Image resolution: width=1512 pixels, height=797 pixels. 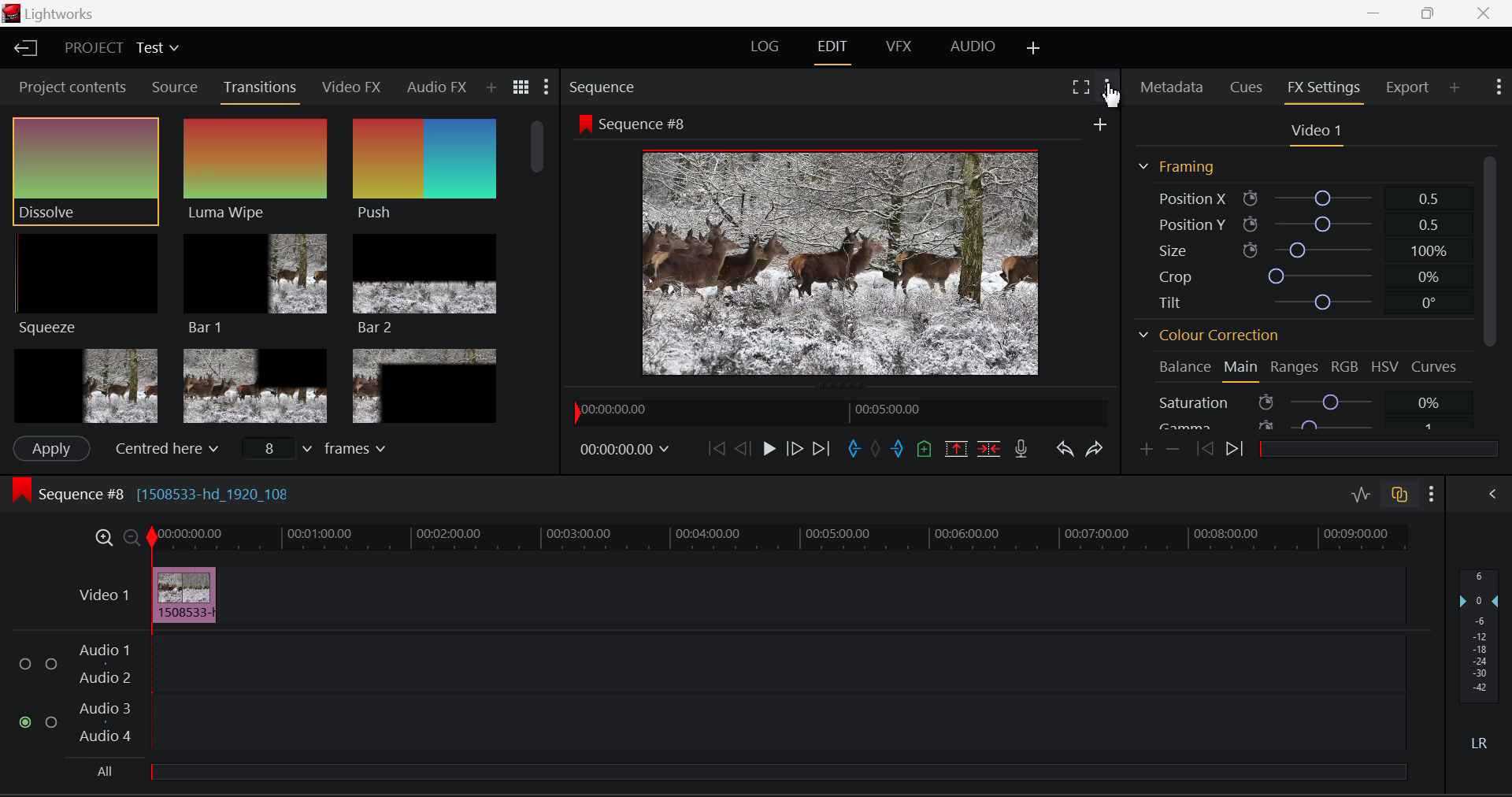 What do you see at coordinates (1323, 88) in the screenshot?
I see `FX Settings` at bounding box center [1323, 88].